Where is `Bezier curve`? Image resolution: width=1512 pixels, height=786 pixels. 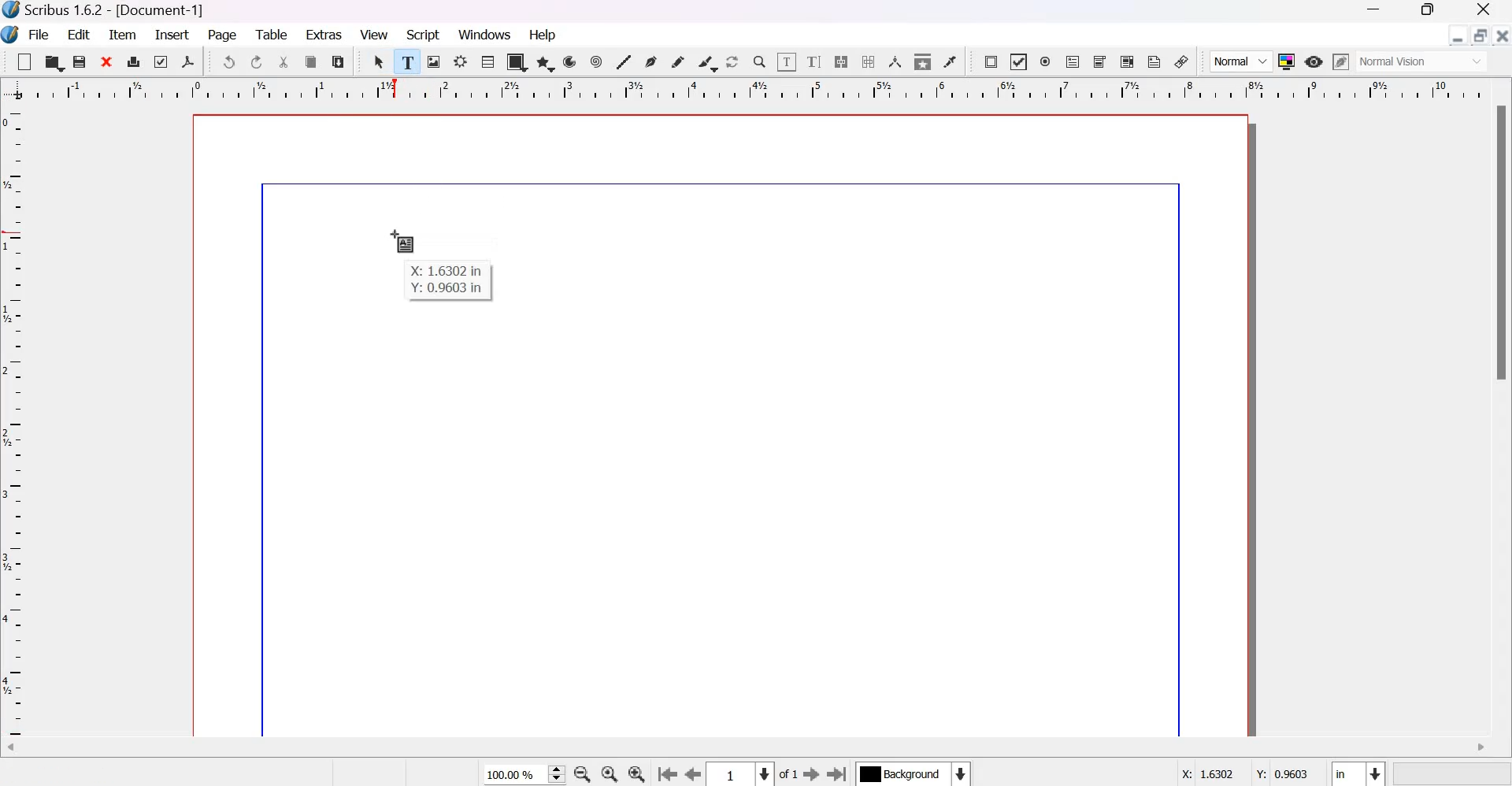
Bezier curve is located at coordinates (650, 61).